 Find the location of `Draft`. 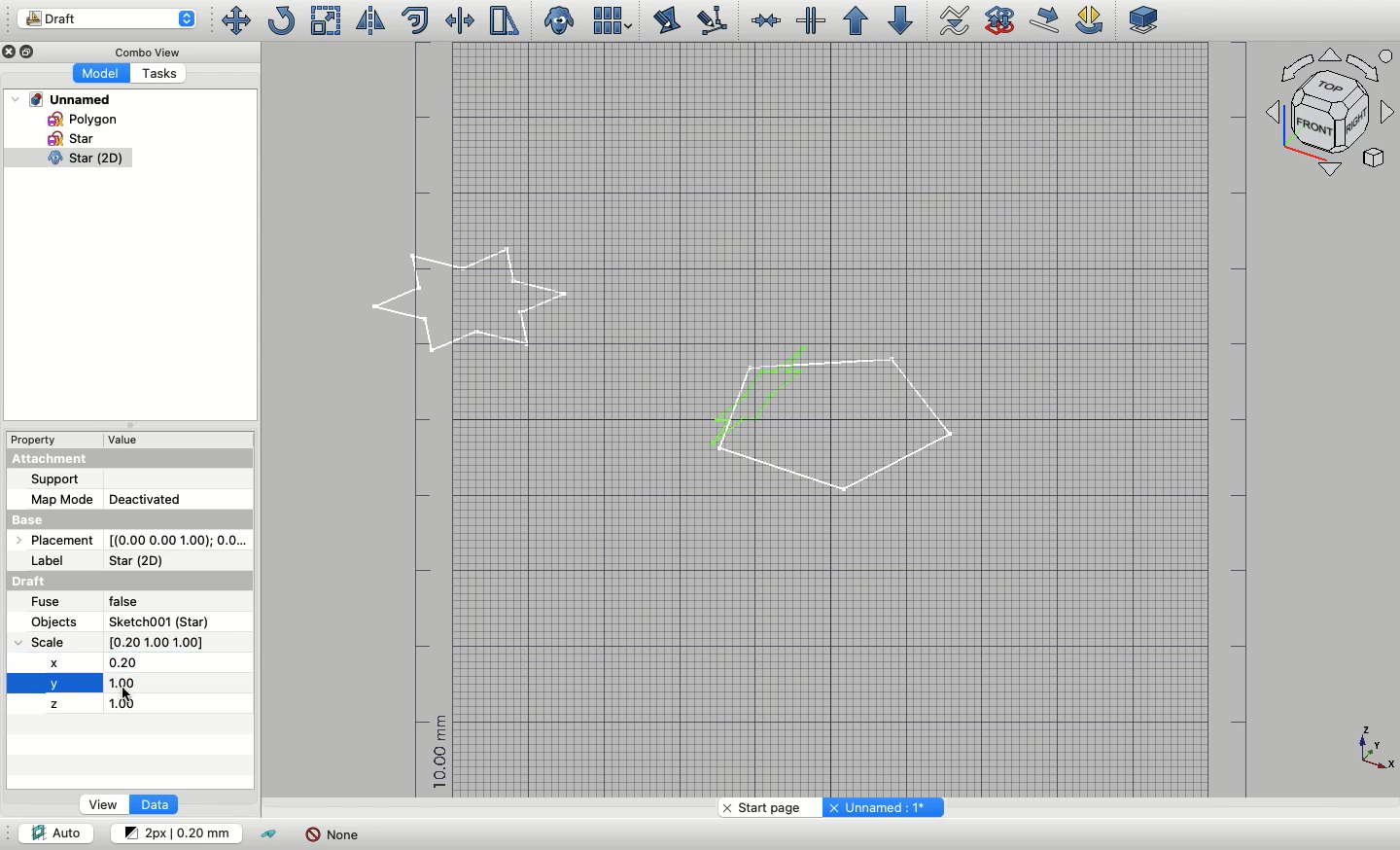

Draft is located at coordinates (46, 580).